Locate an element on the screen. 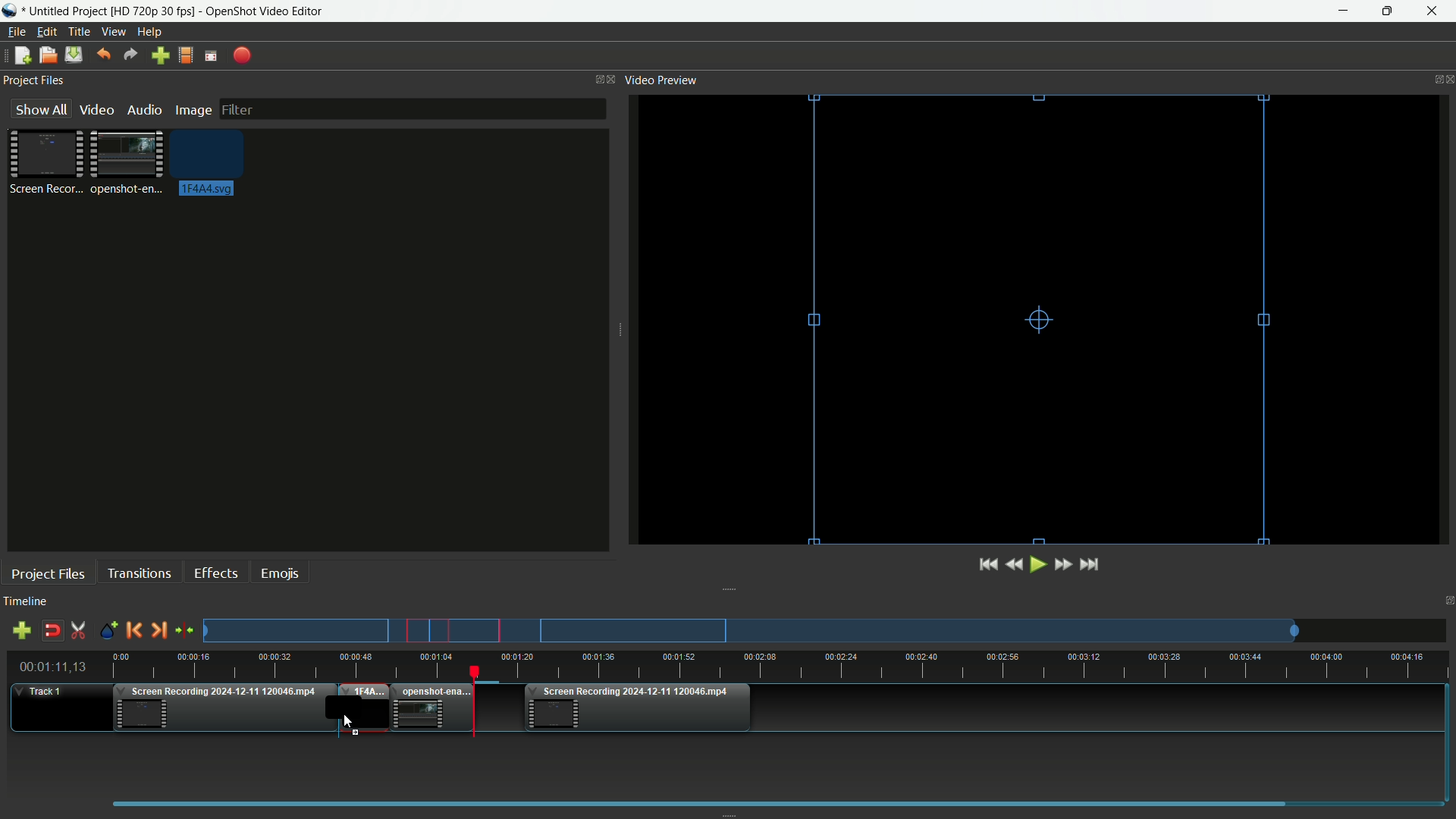 Image resolution: width=1456 pixels, height=819 pixels. Close timeline is located at coordinates (1447, 603).